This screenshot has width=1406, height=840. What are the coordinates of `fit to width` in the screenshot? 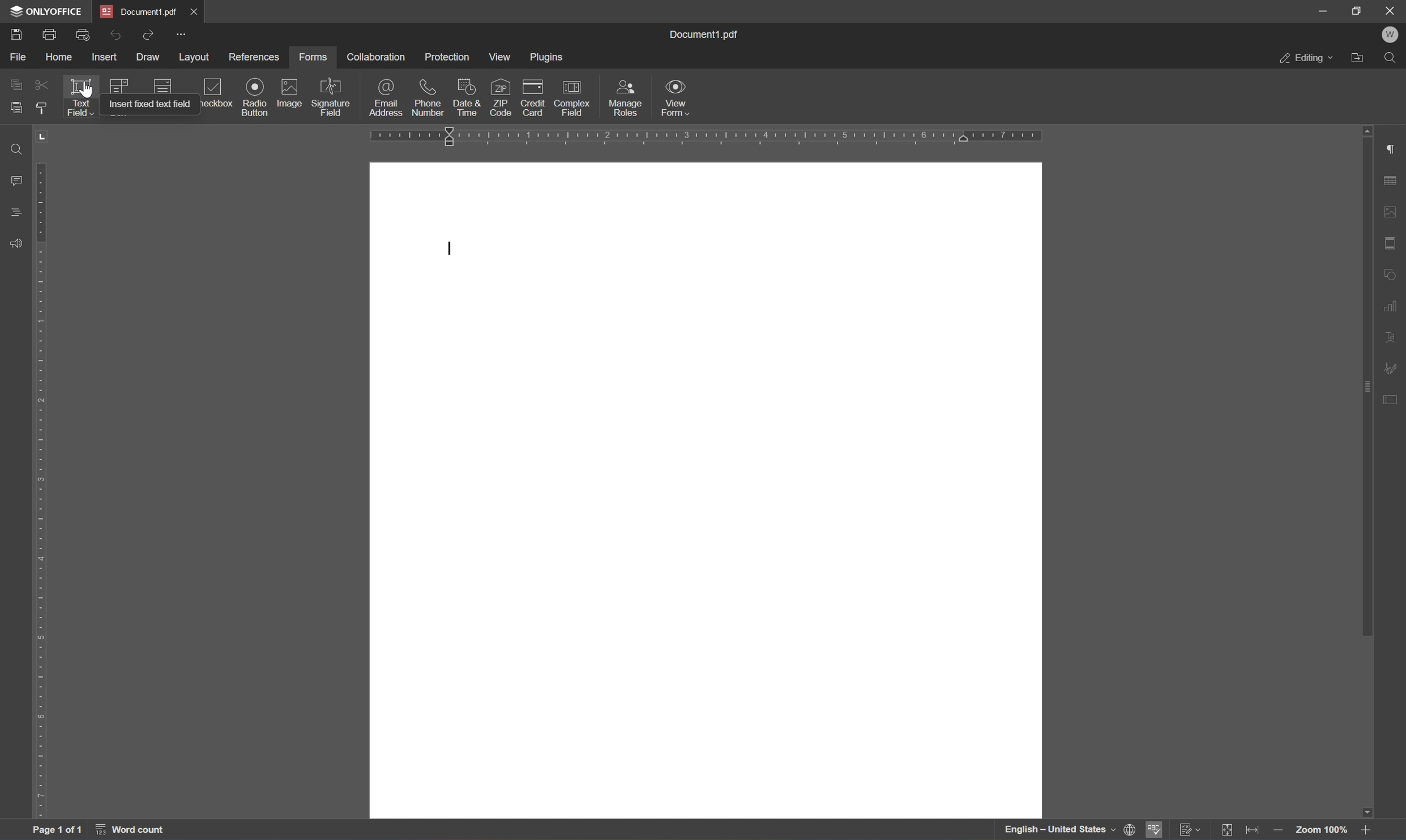 It's located at (1254, 832).